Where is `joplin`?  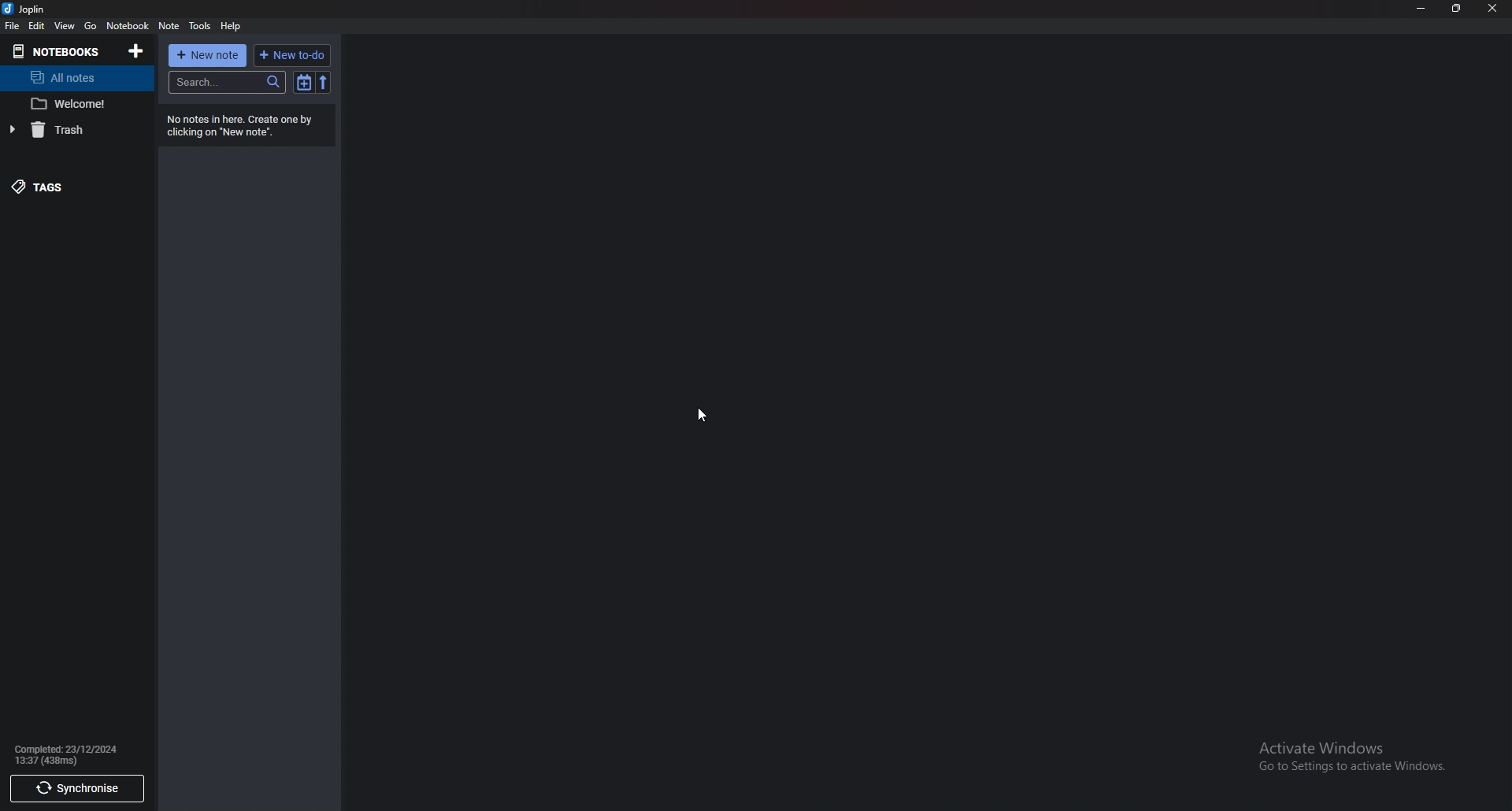 joplin is located at coordinates (27, 9).